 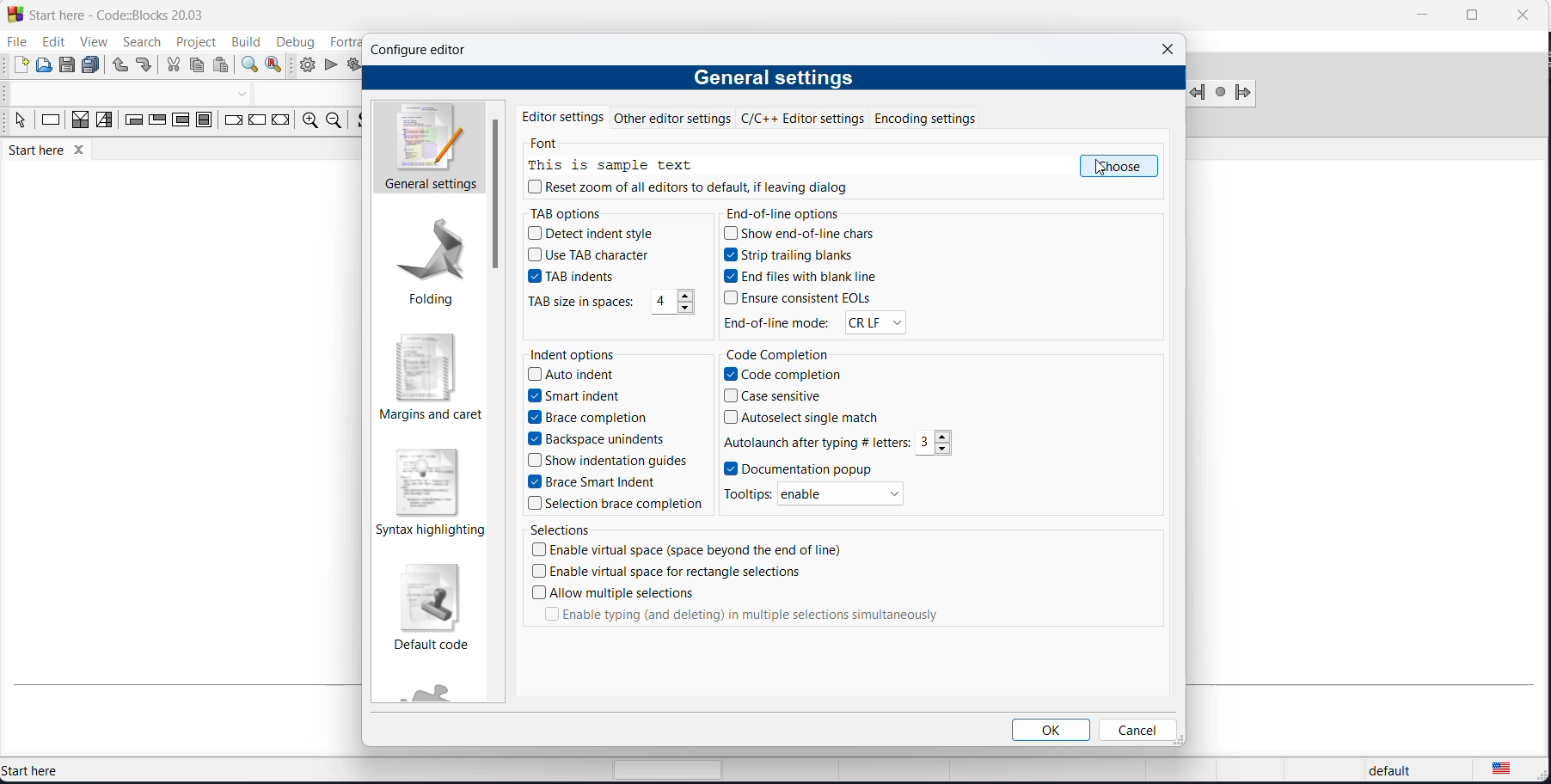 I want to click on decision, so click(x=81, y=124).